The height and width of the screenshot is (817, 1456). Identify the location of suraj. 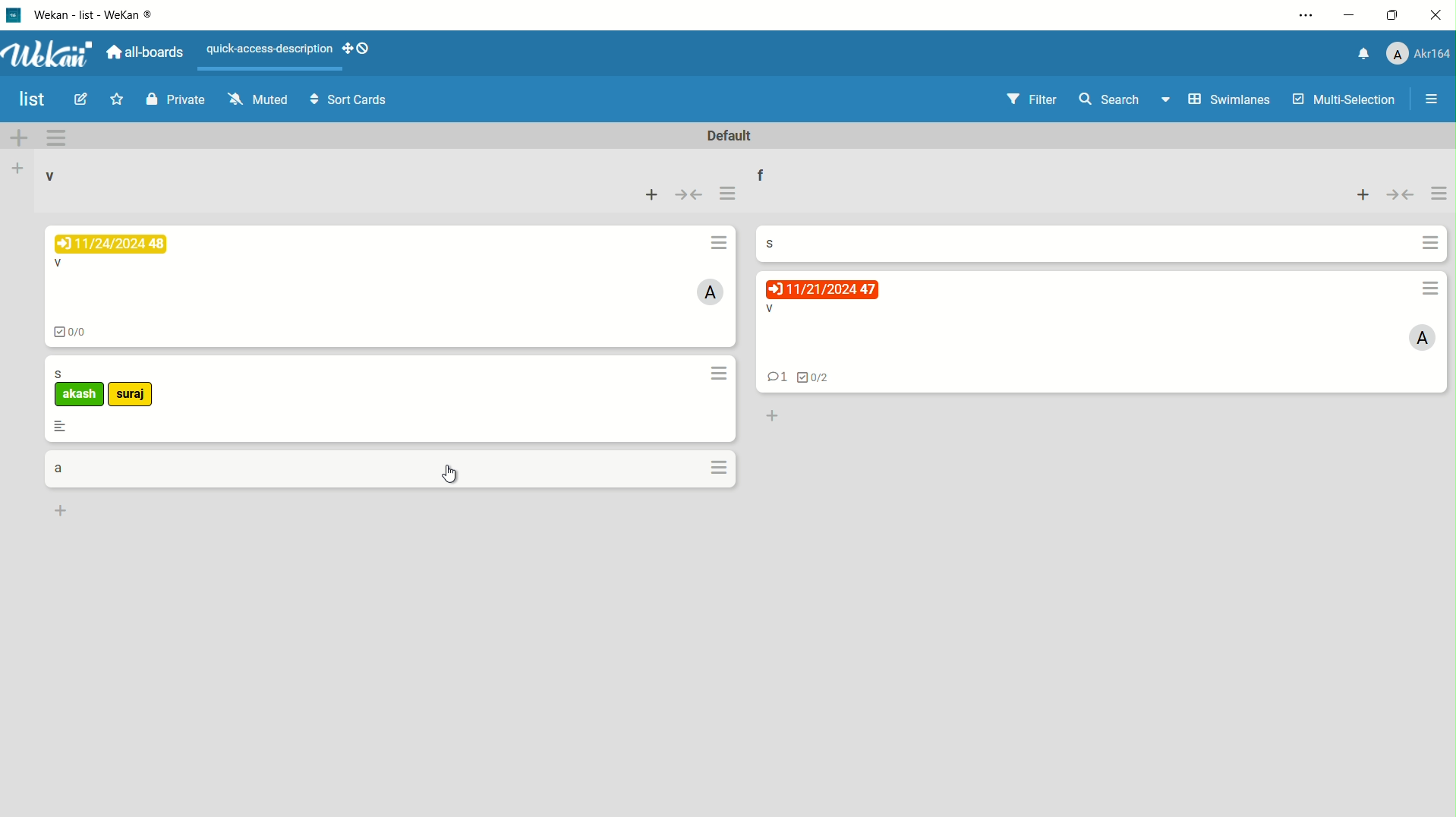
(131, 395).